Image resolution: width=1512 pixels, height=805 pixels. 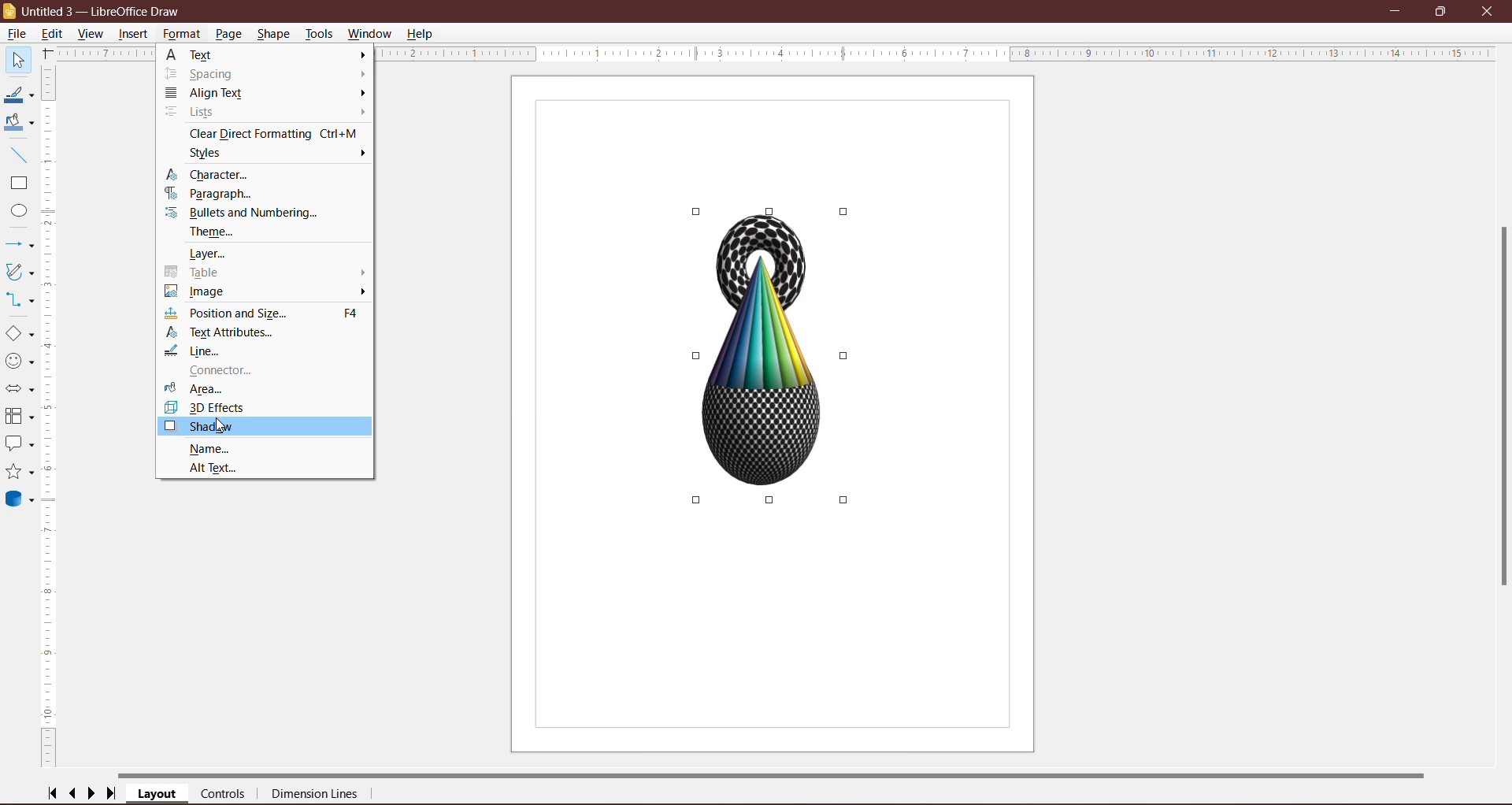 What do you see at coordinates (20, 361) in the screenshot?
I see `Symbol Shapes` at bounding box center [20, 361].